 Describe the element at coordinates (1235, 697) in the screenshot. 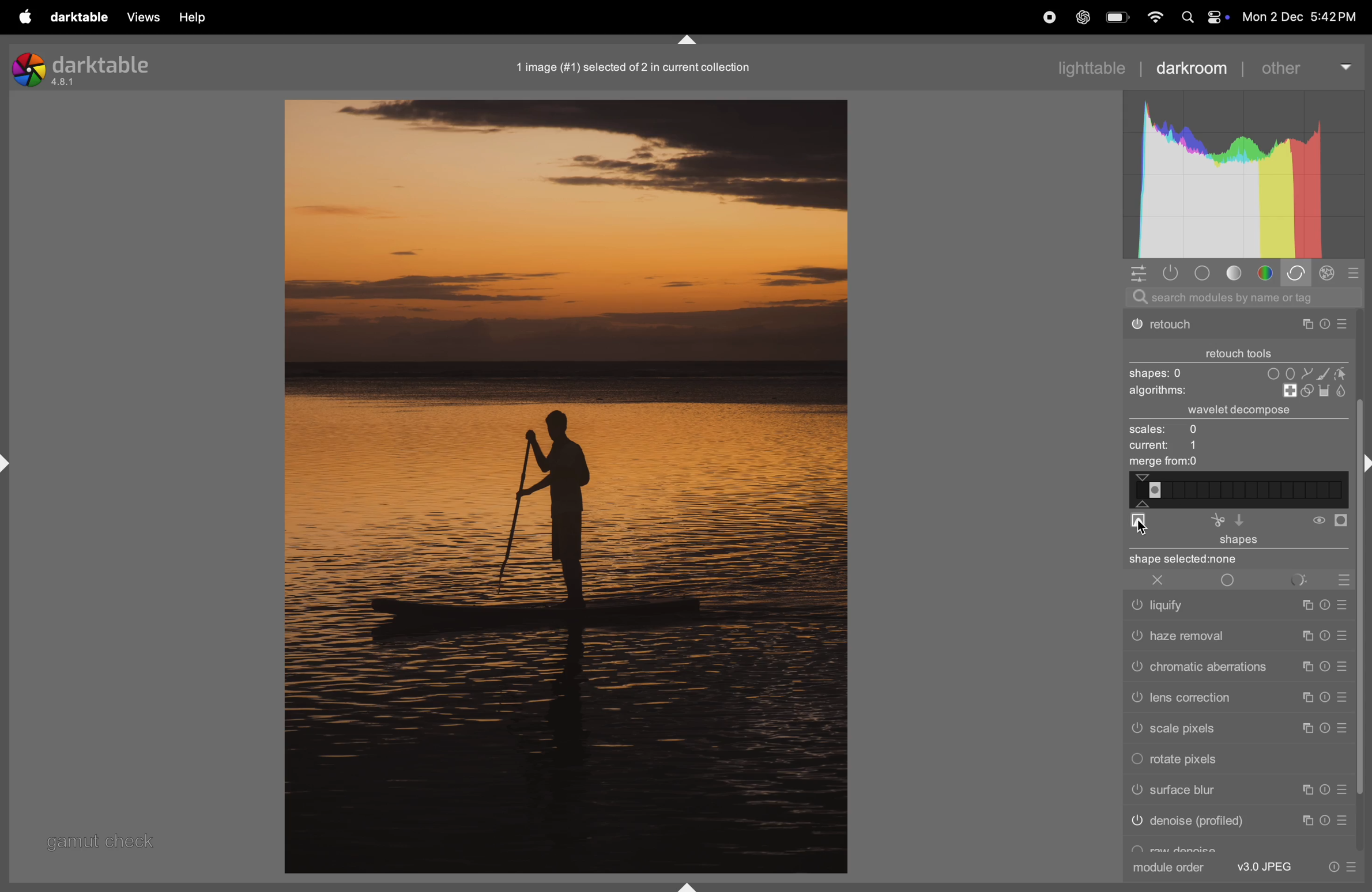

I see `Lens correction` at that location.